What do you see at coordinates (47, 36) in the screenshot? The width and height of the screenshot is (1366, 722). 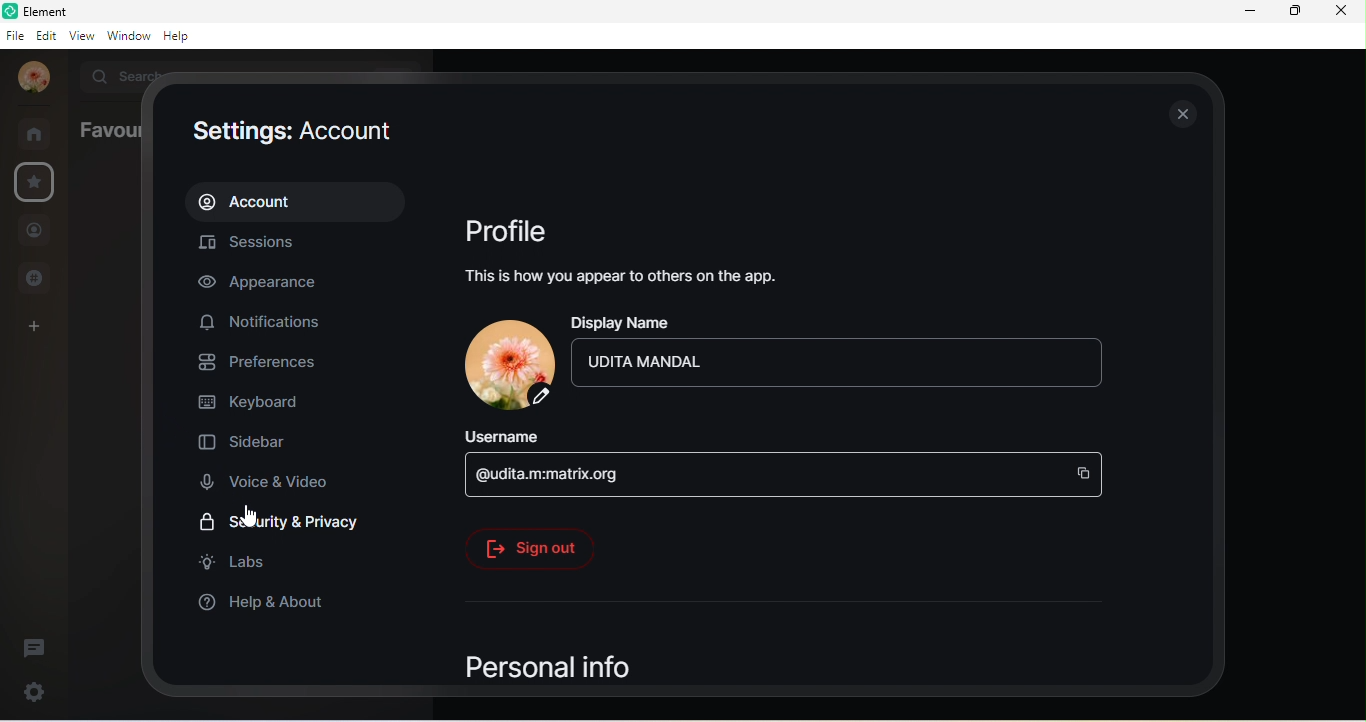 I see `edit` at bounding box center [47, 36].